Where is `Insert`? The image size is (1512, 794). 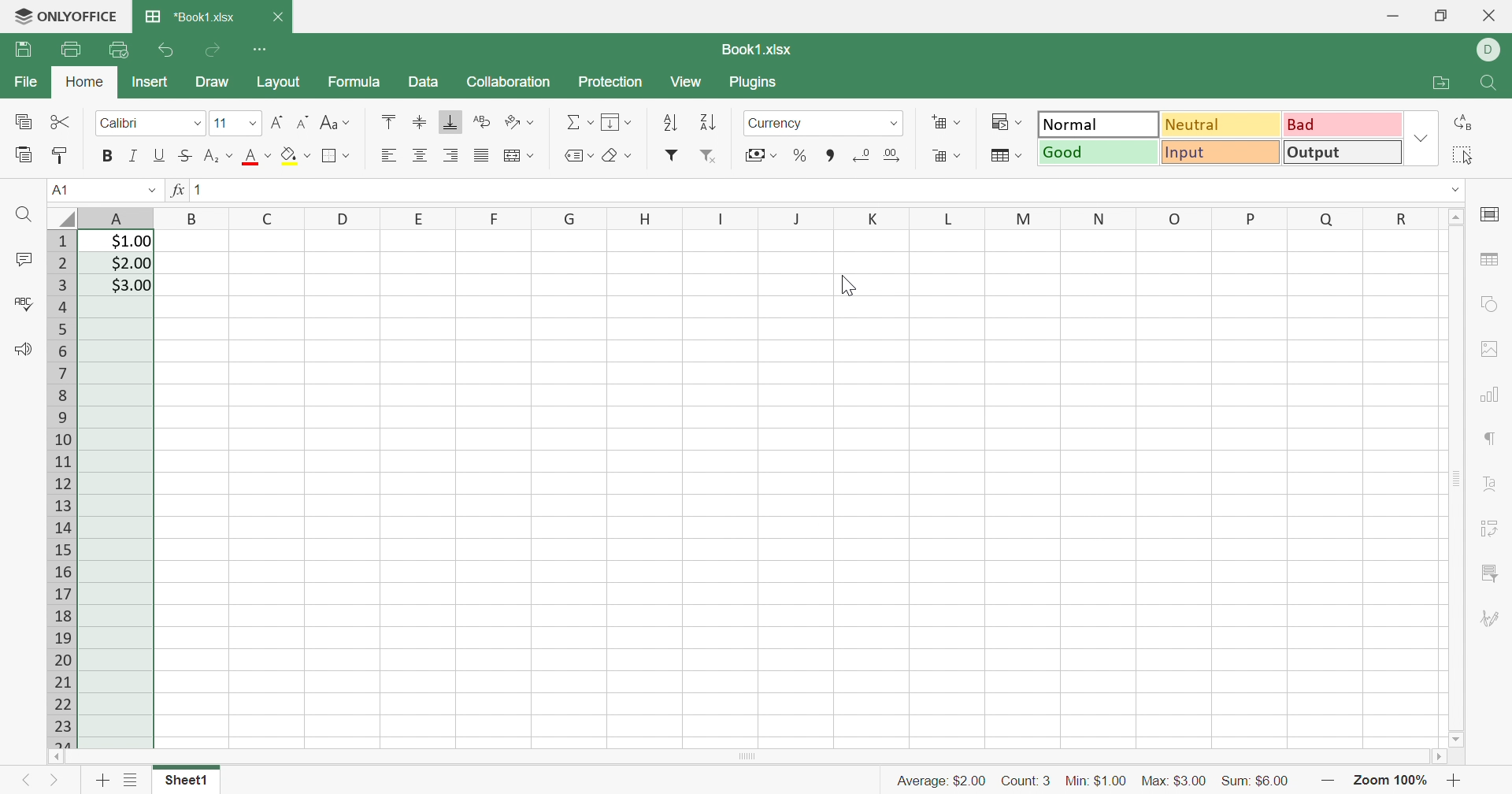
Insert is located at coordinates (150, 82).